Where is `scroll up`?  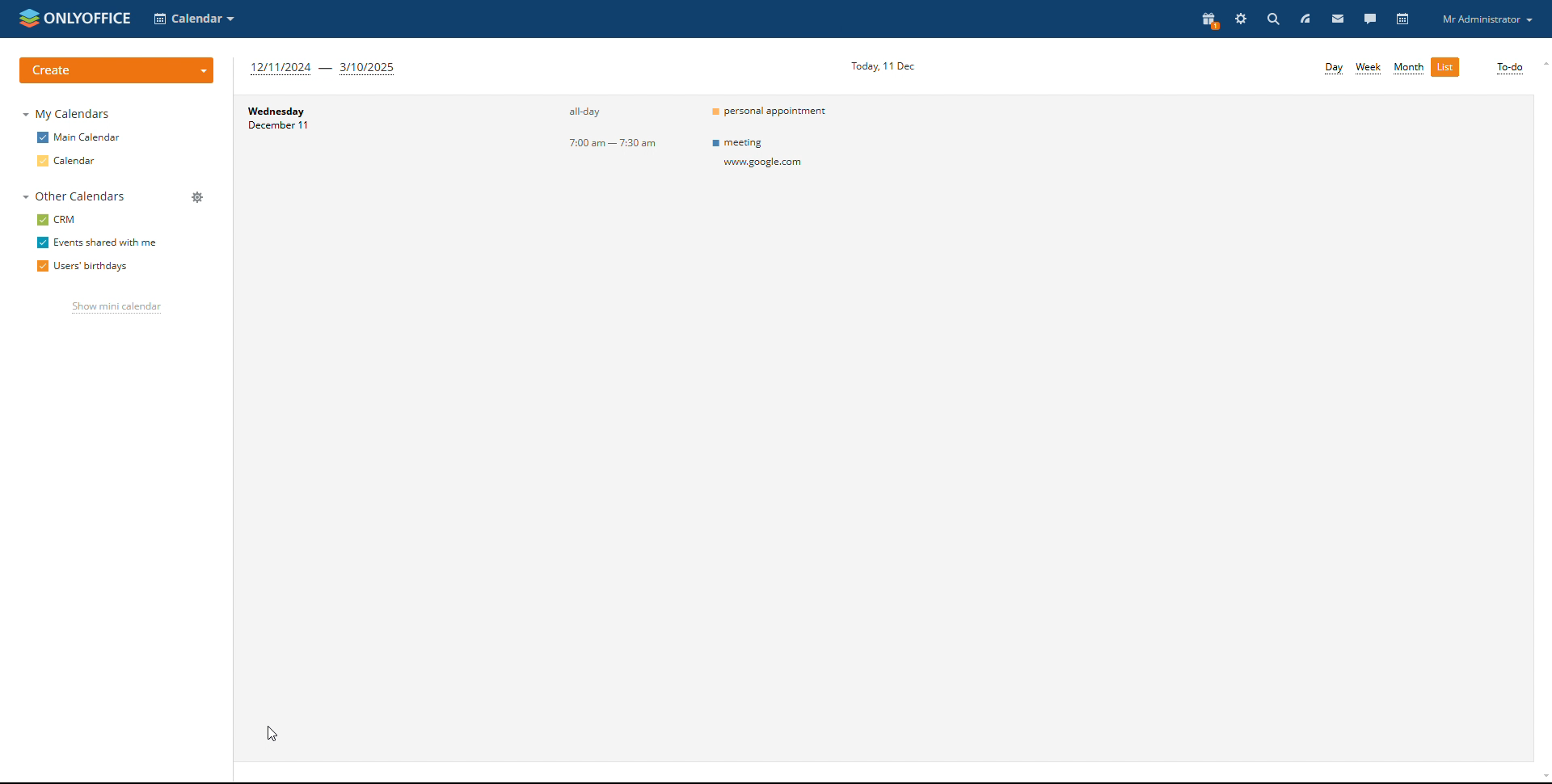
scroll up is located at coordinates (1542, 65).